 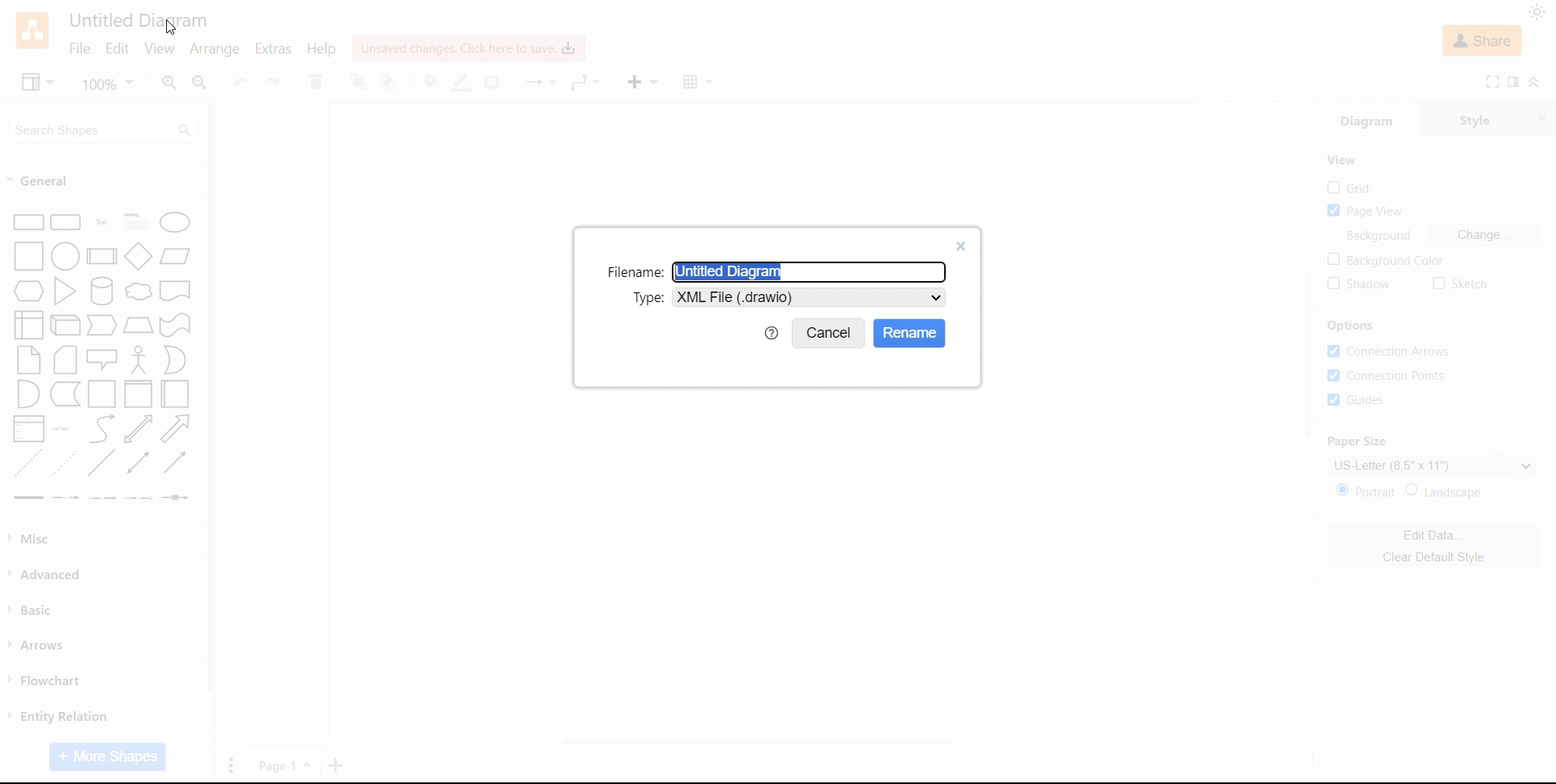 I want to click on Paper size , so click(x=1358, y=441).